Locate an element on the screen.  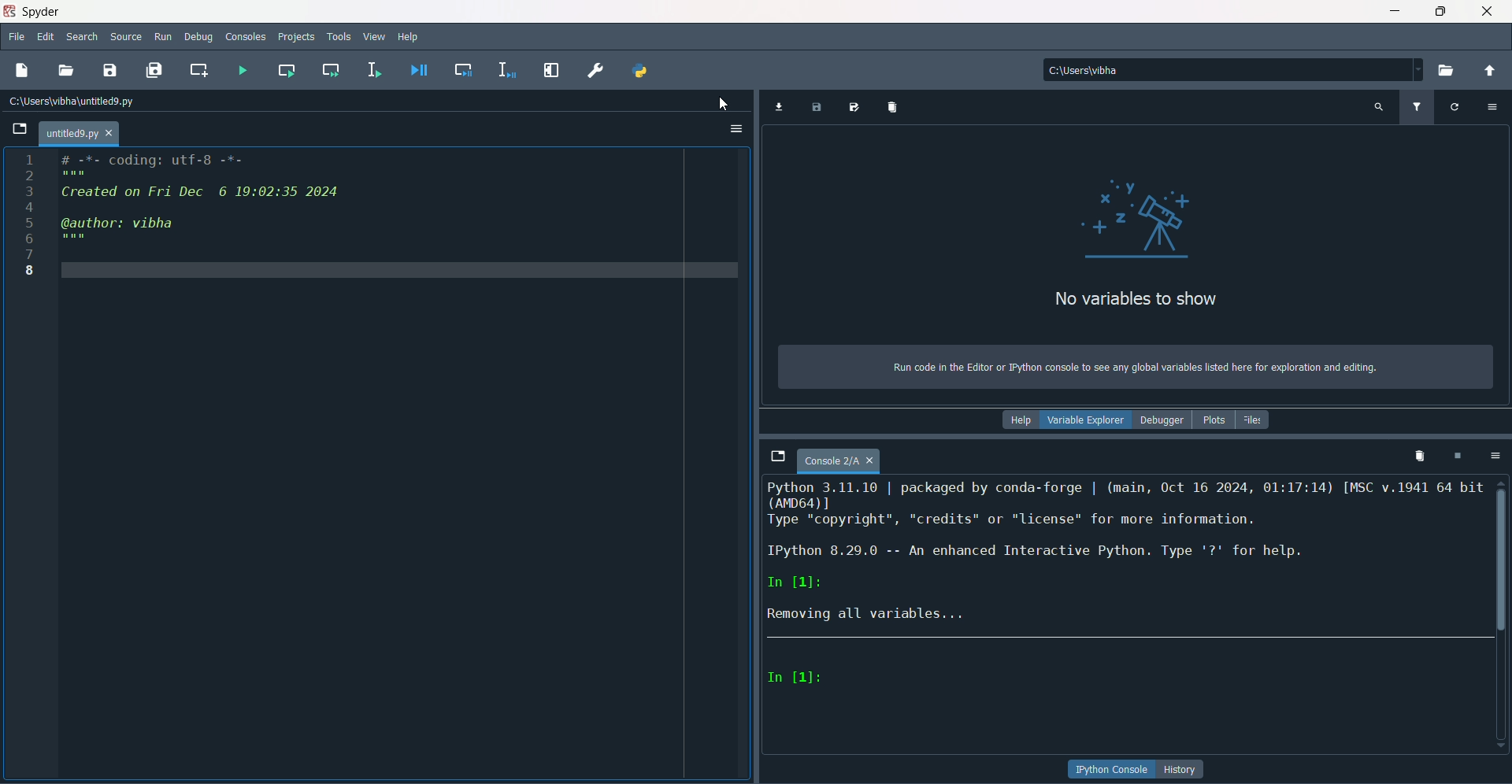
help is located at coordinates (1019, 420).